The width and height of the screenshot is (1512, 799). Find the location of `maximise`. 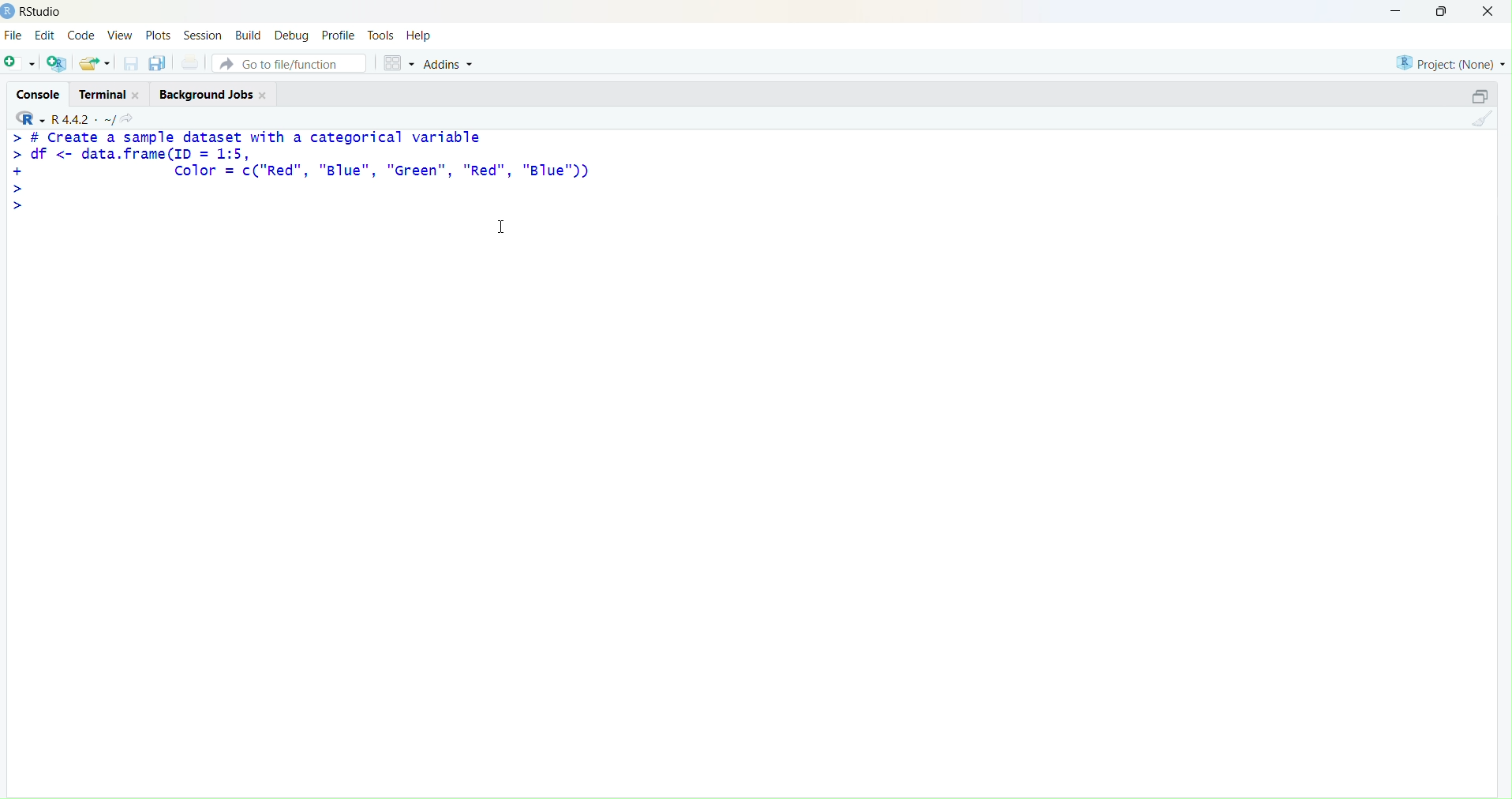

maximise is located at coordinates (1443, 11).